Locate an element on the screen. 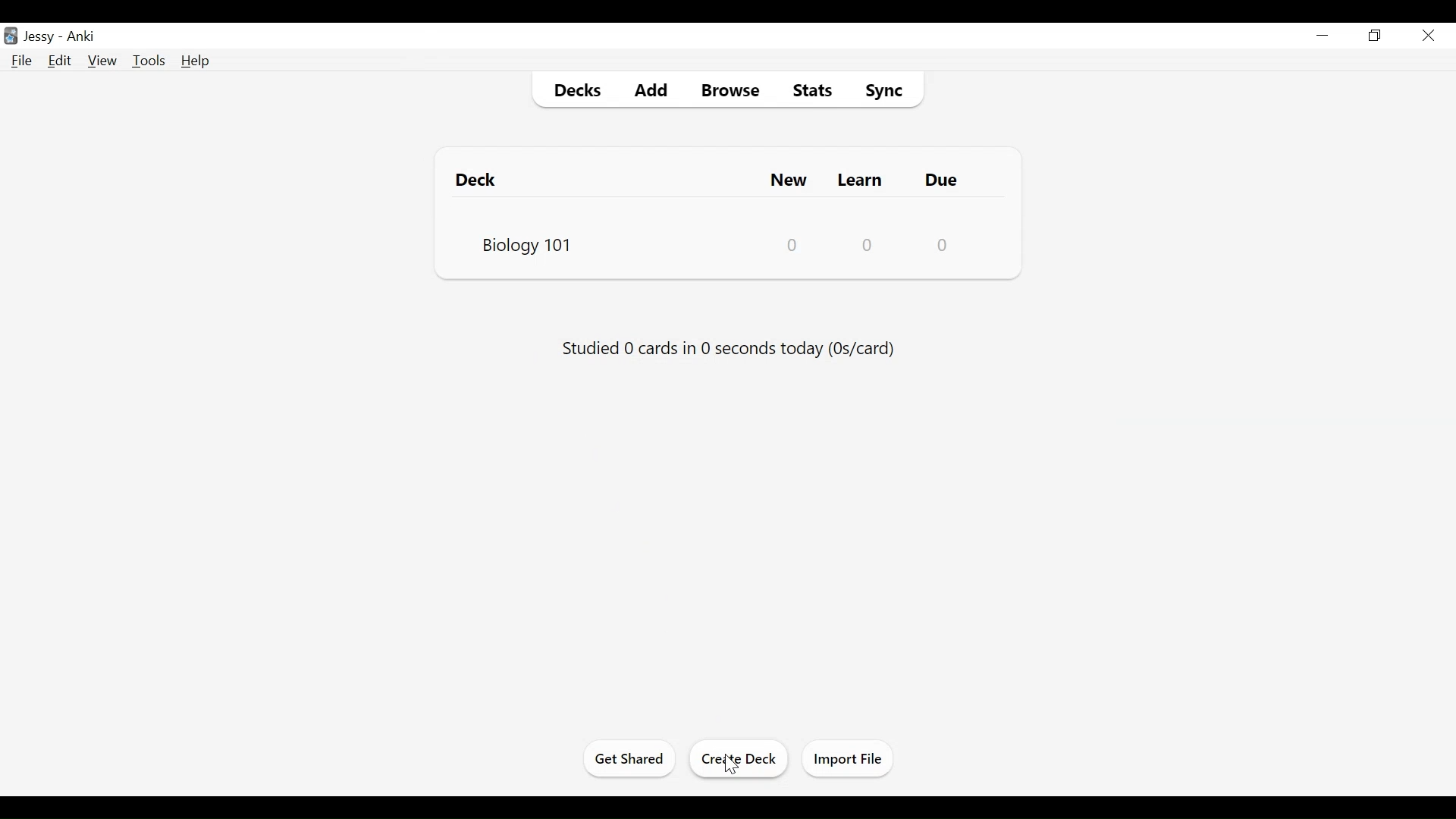 The width and height of the screenshot is (1456, 819). New Cards is located at coordinates (790, 179).